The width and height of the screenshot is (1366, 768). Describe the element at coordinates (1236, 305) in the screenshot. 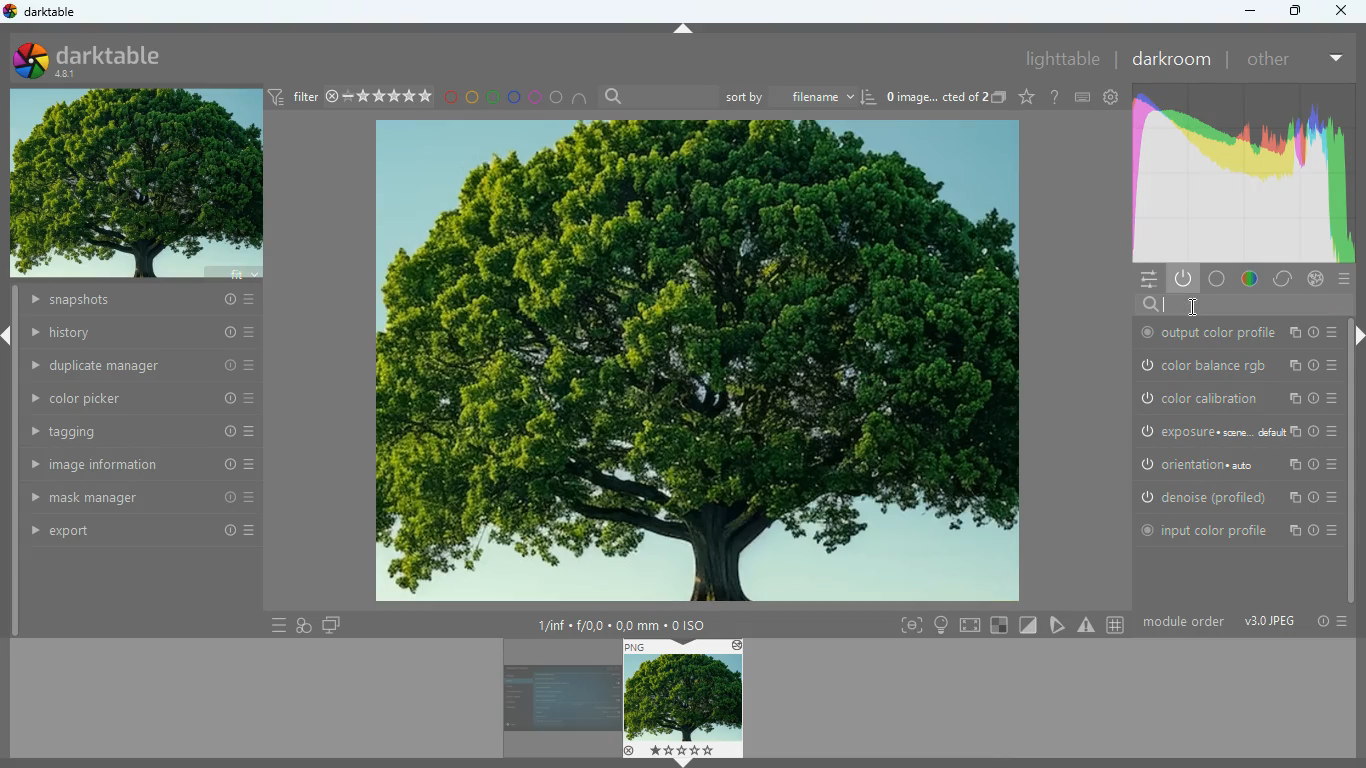

I see `search` at that location.